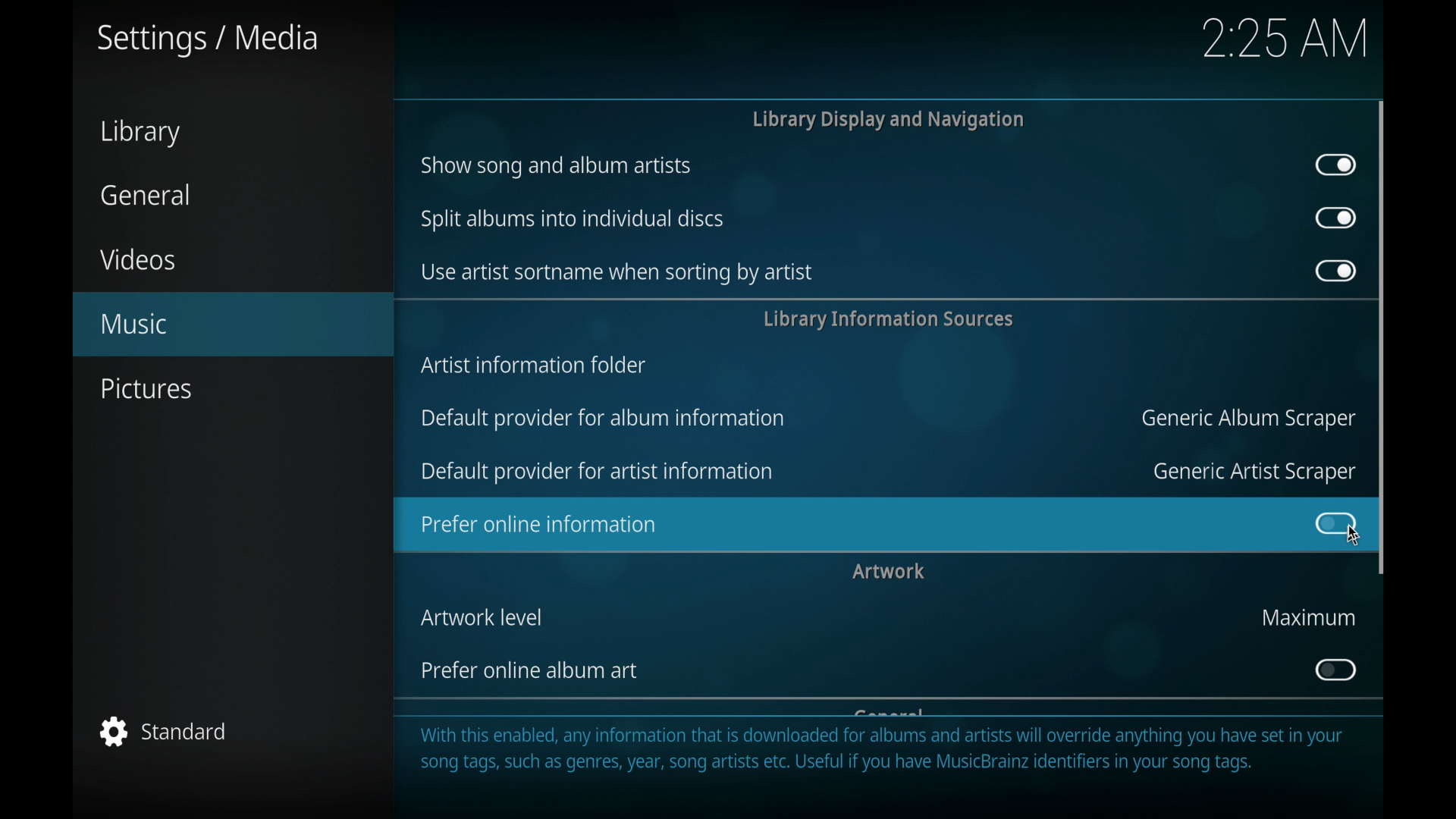  Describe the element at coordinates (482, 617) in the screenshot. I see `artwork level` at that location.